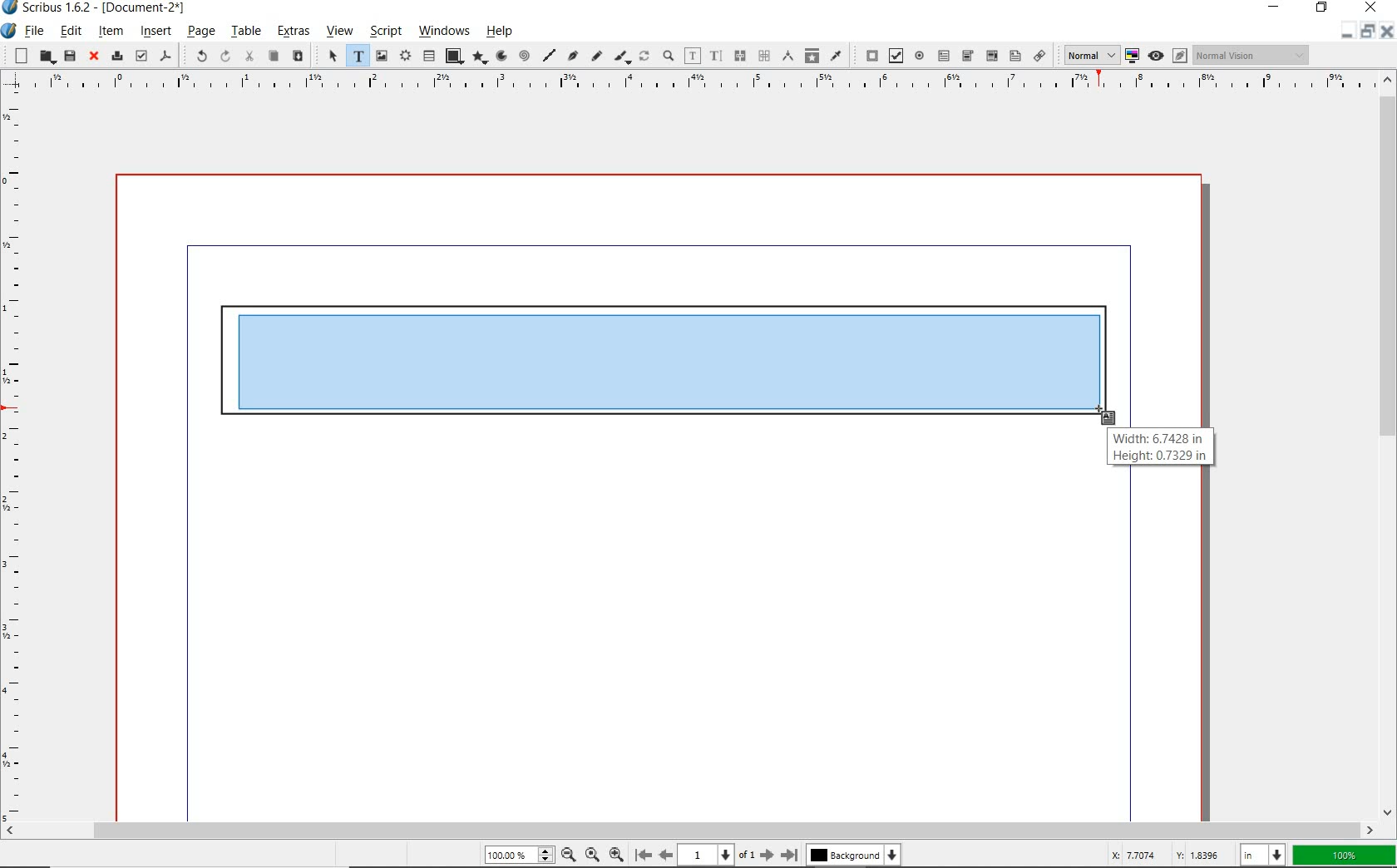 The height and width of the screenshot is (868, 1397). I want to click on scrollbar, so click(690, 829).